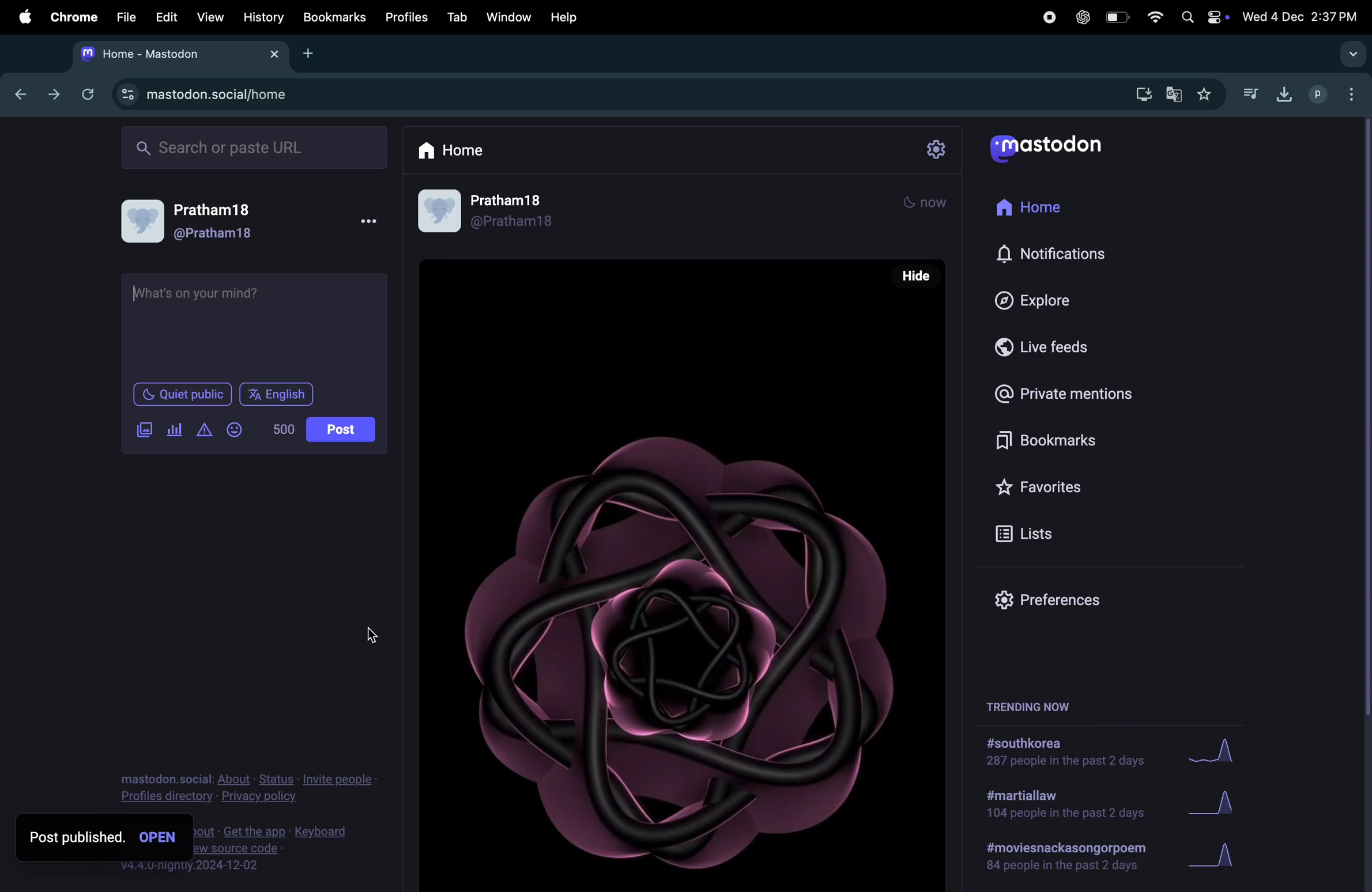 This screenshot has width=1372, height=892. Describe the element at coordinates (1212, 751) in the screenshot. I see `graph` at that location.